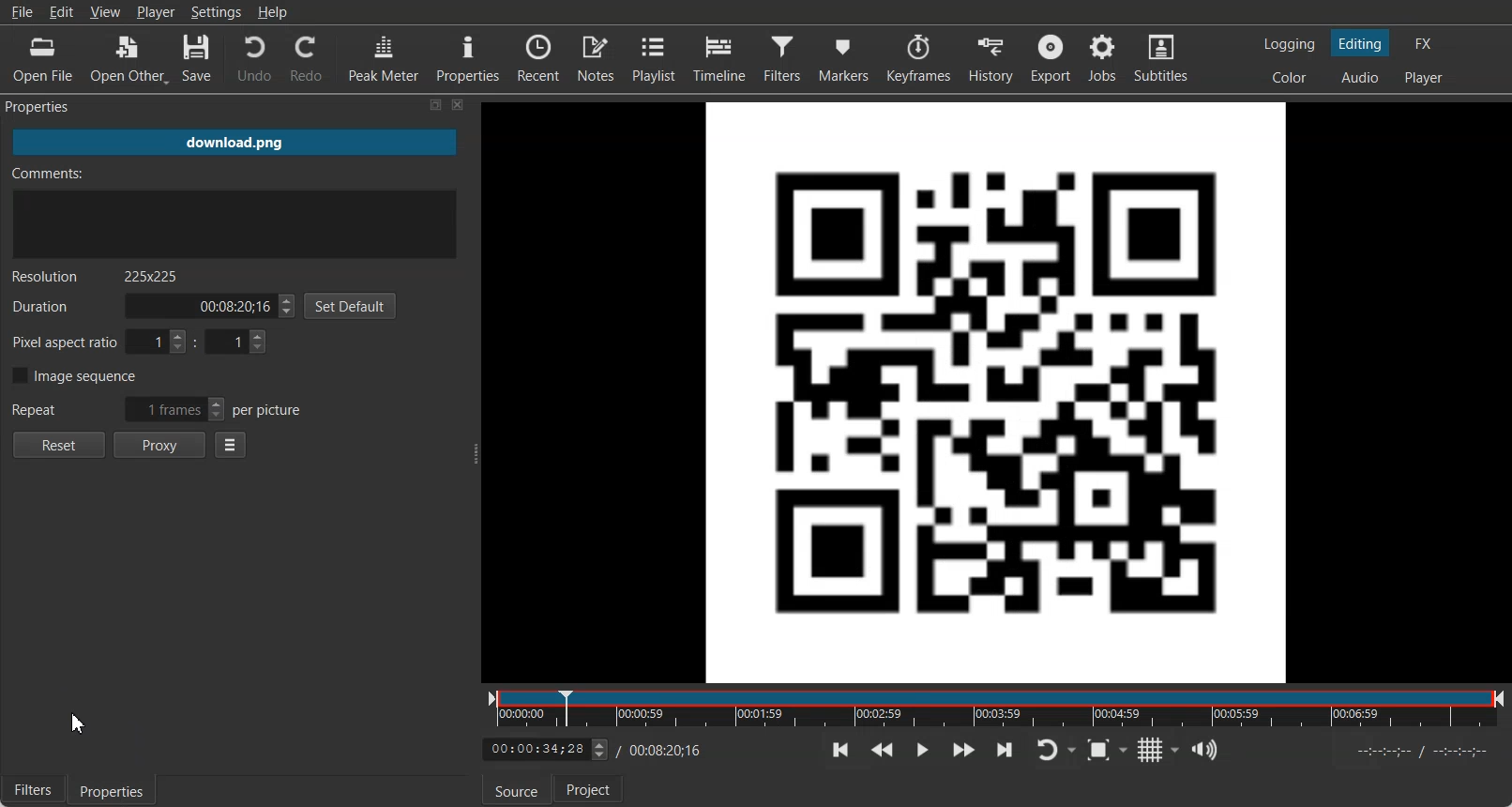 Image resolution: width=1512 pixels, height=807 pixels. I want to click on Pixel aspect ratio for x & Y Co-ordinate, so click(141, 342).